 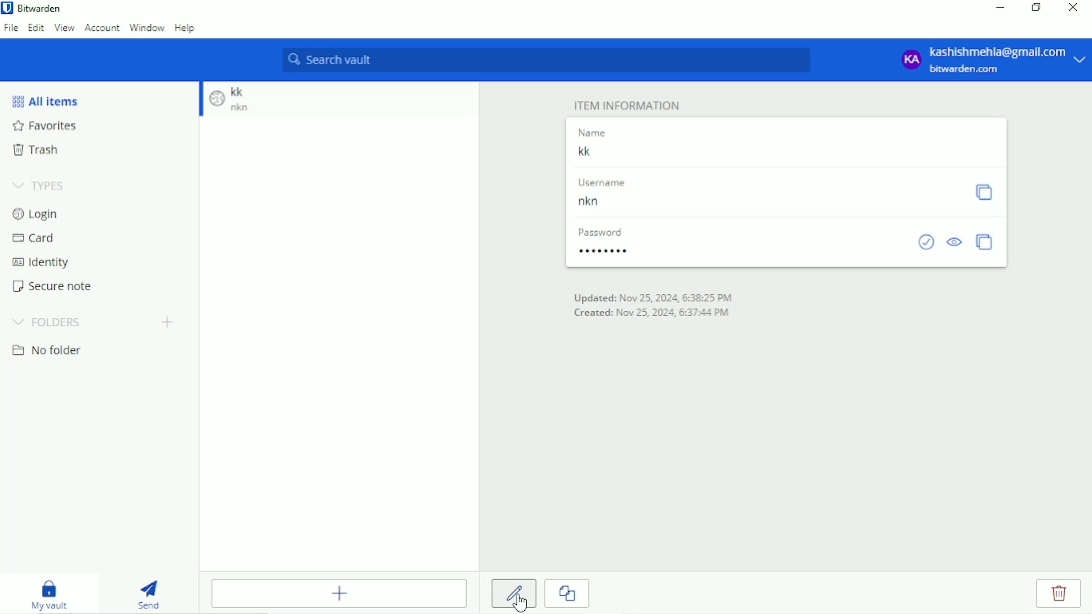 What do you see at coordinates (926, 242) in the screenshot?
I see `Check if password has been exposed` at bounding box center [926, 242].